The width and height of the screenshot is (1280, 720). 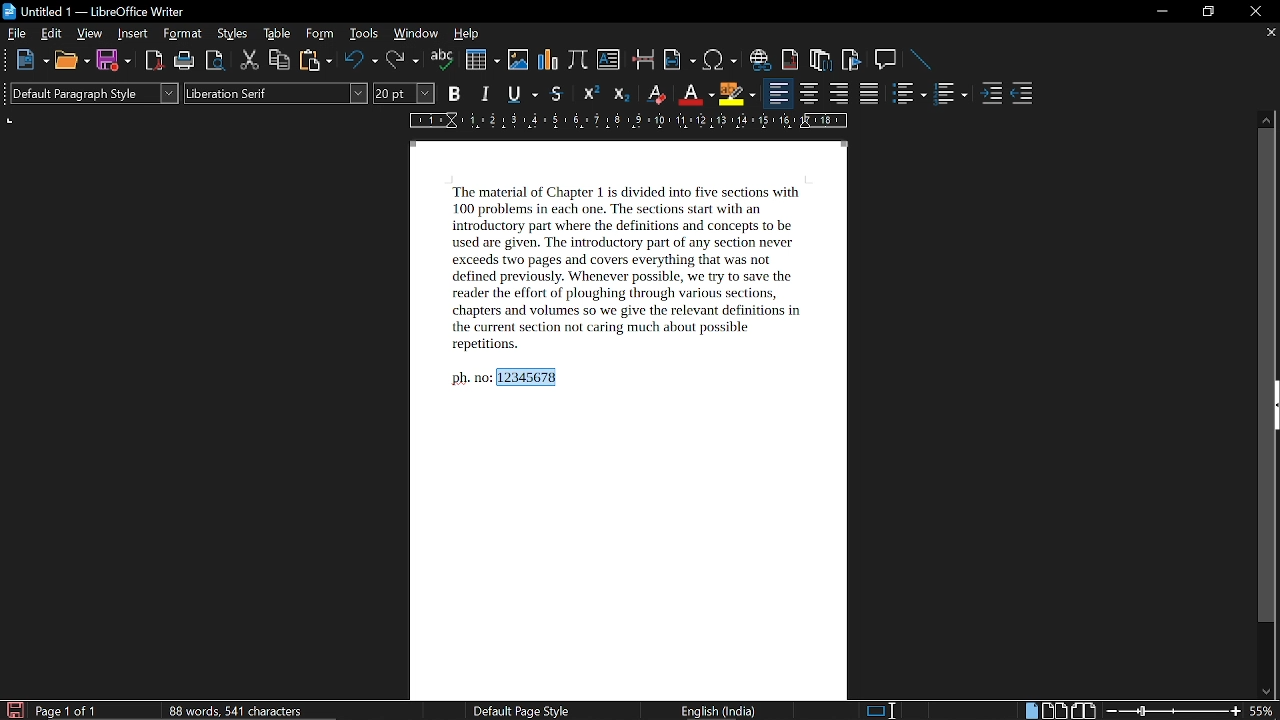 I want to click on move up, so click(x=1265, y=119).